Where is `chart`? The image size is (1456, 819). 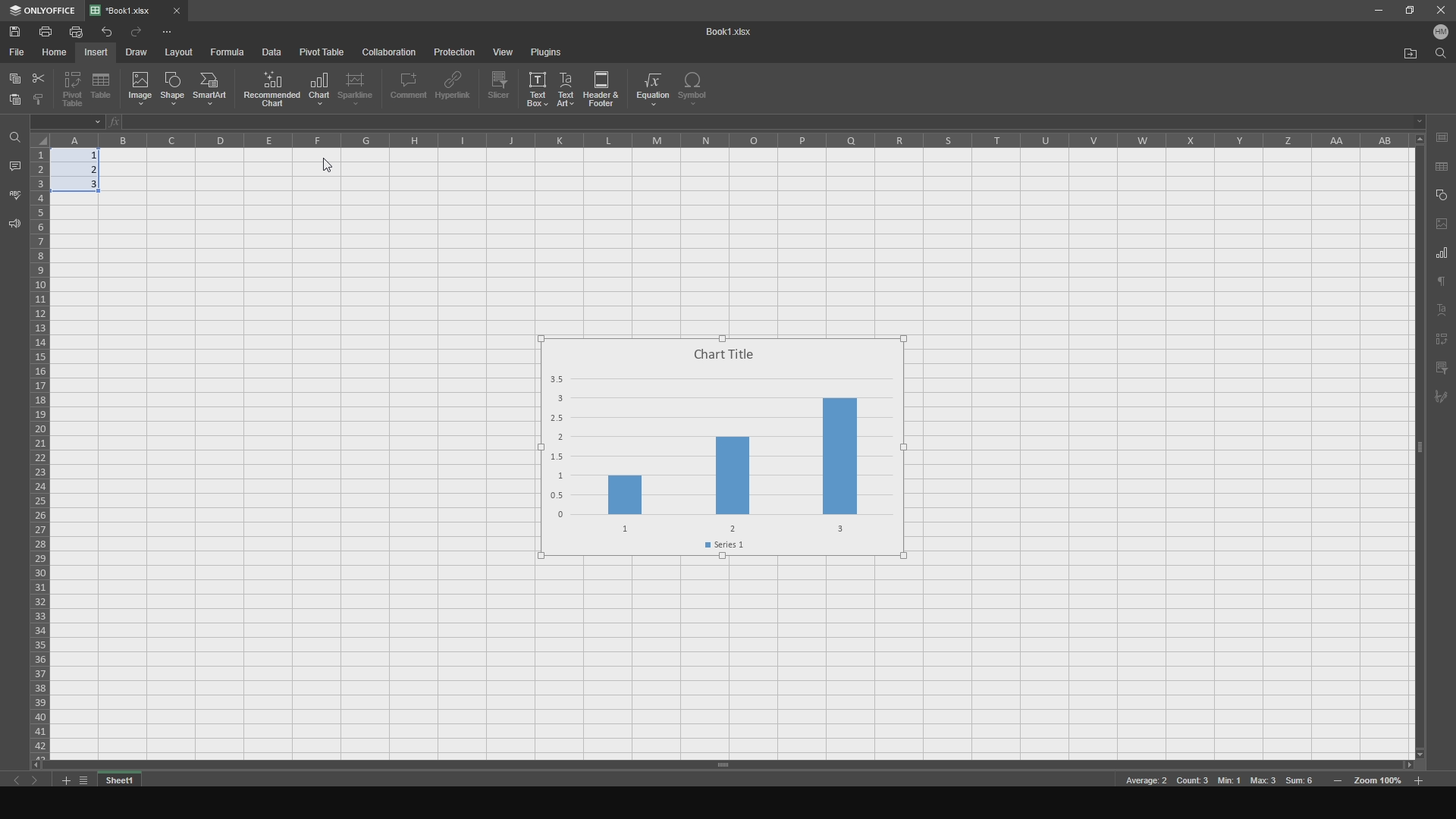 chart is located at coordinates (318, 89).